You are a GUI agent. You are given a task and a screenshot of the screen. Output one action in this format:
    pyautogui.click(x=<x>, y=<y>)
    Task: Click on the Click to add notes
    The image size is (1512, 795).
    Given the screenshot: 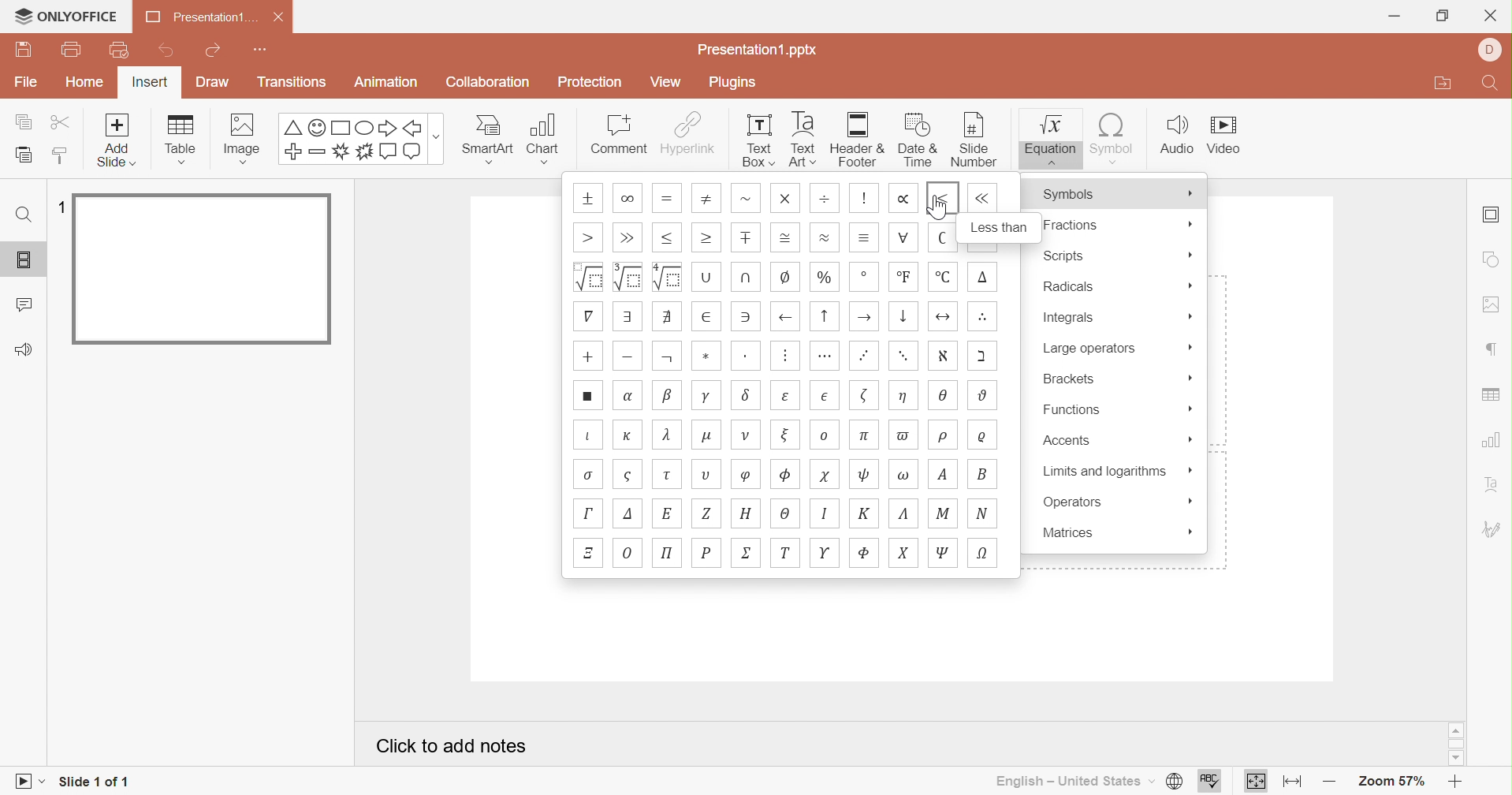 What is the action you would take?
    pyautogui.click(x=449, y=745)
    